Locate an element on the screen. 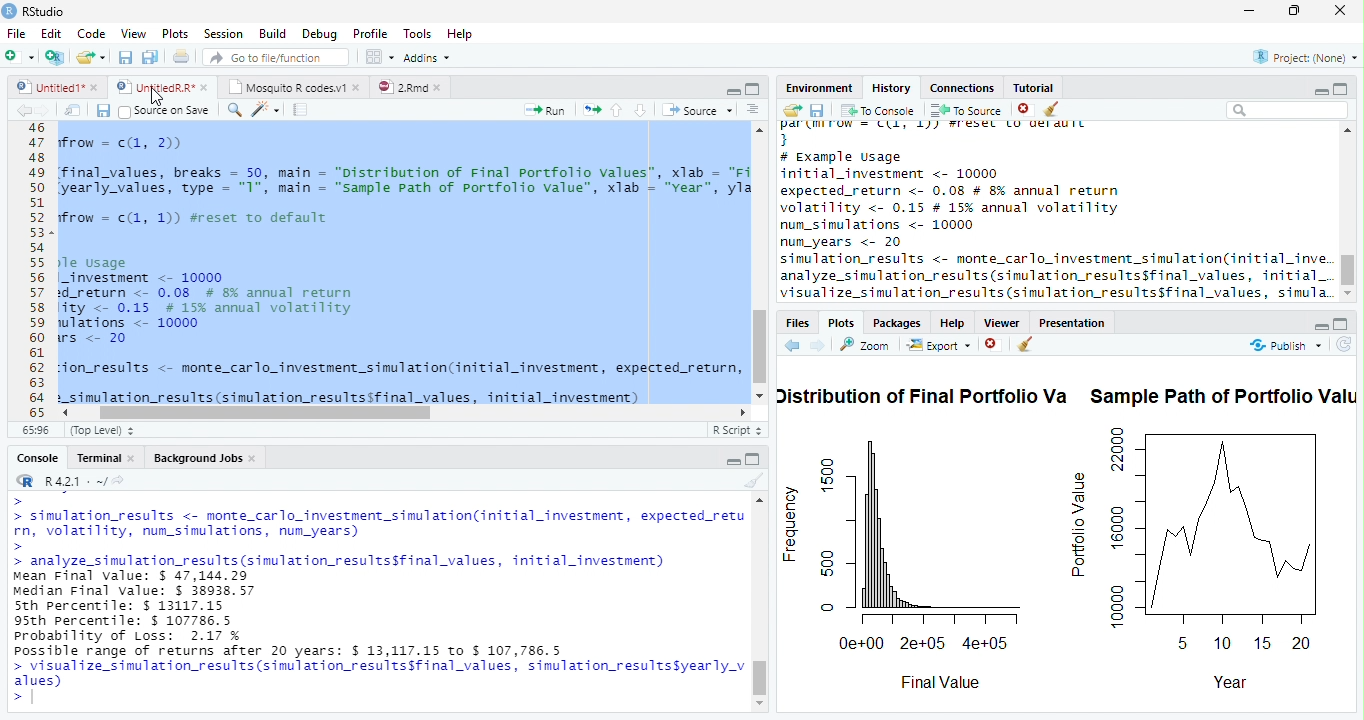  Full Height is located at coordinates (756, 458).